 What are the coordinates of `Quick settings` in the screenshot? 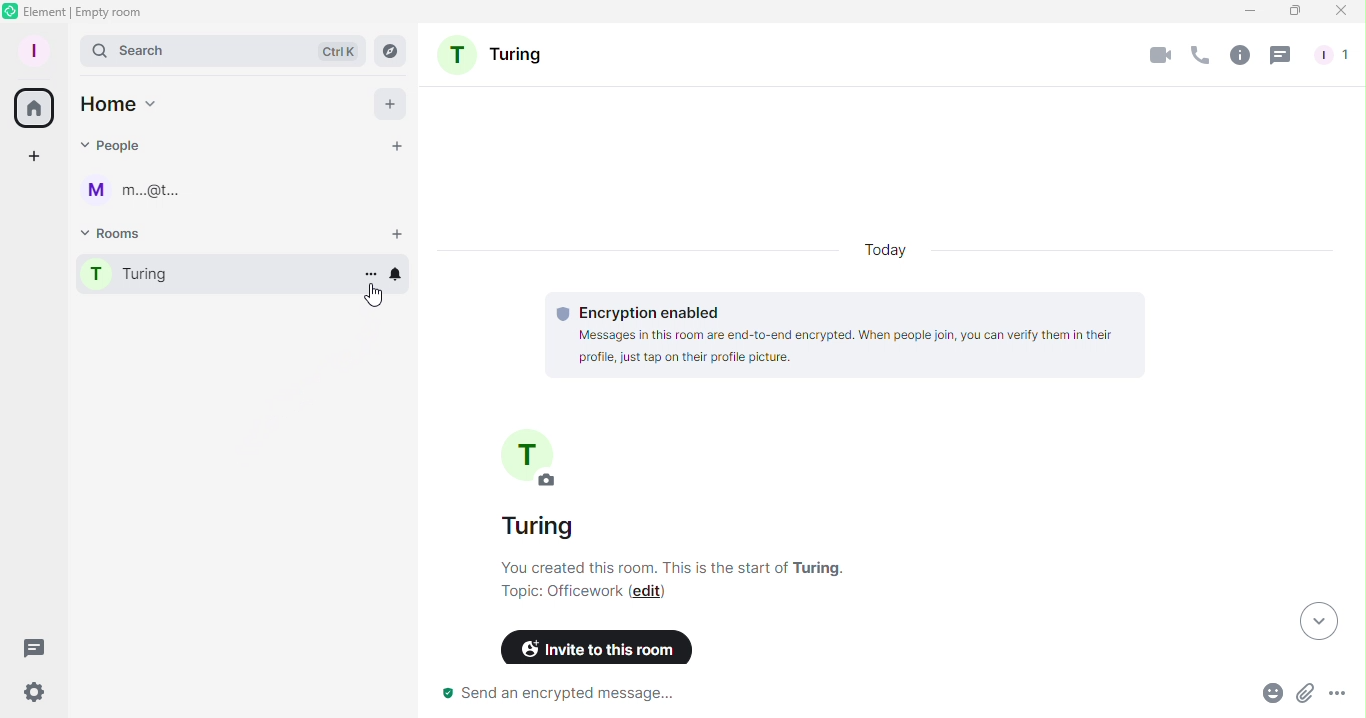 It's located at (34, 694).